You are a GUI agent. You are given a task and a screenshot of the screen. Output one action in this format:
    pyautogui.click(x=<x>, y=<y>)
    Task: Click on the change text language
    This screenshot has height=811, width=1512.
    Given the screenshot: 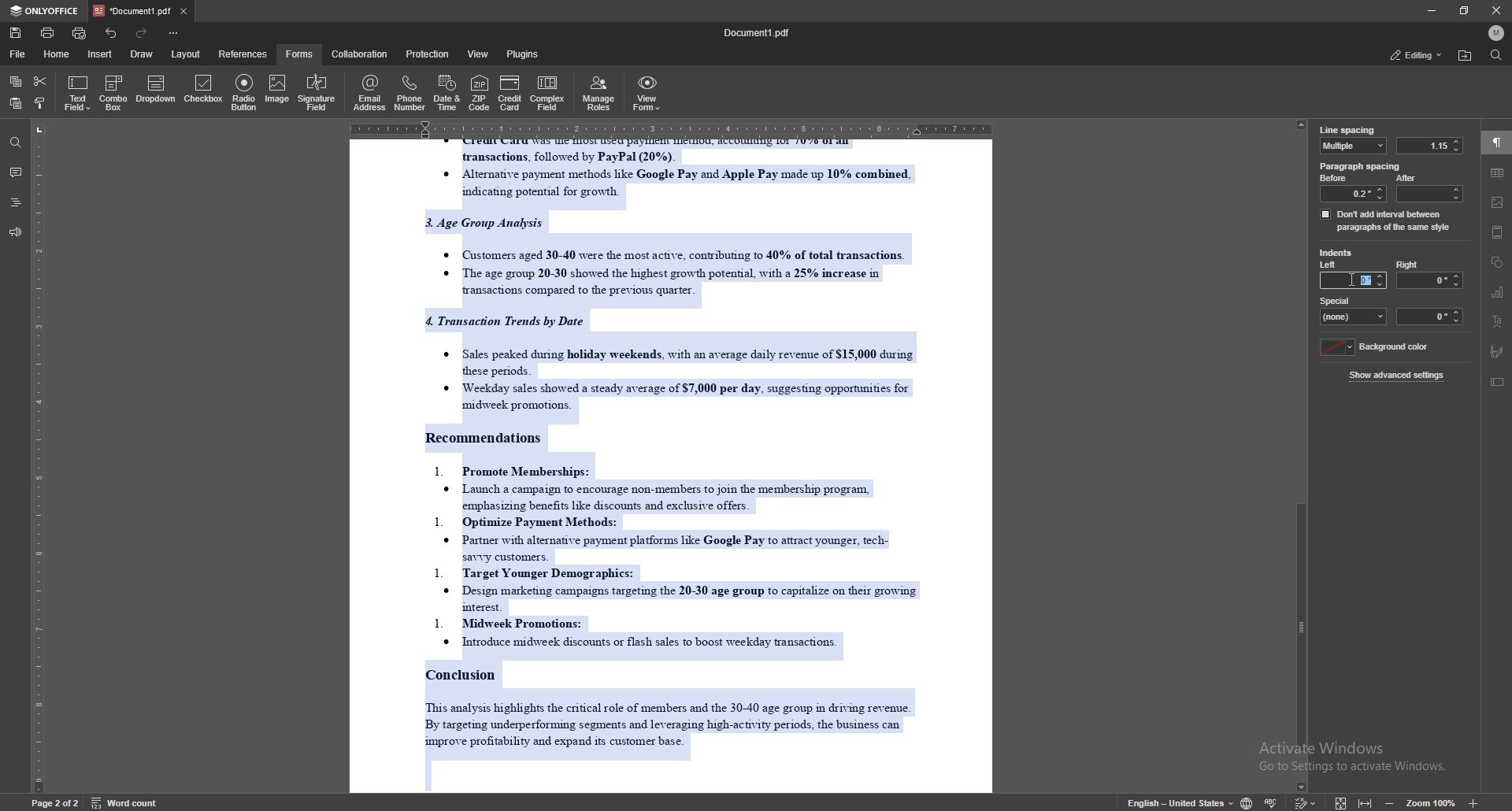 What is the action you would take?
    pyautogui.click(x=1180, y=802)
    